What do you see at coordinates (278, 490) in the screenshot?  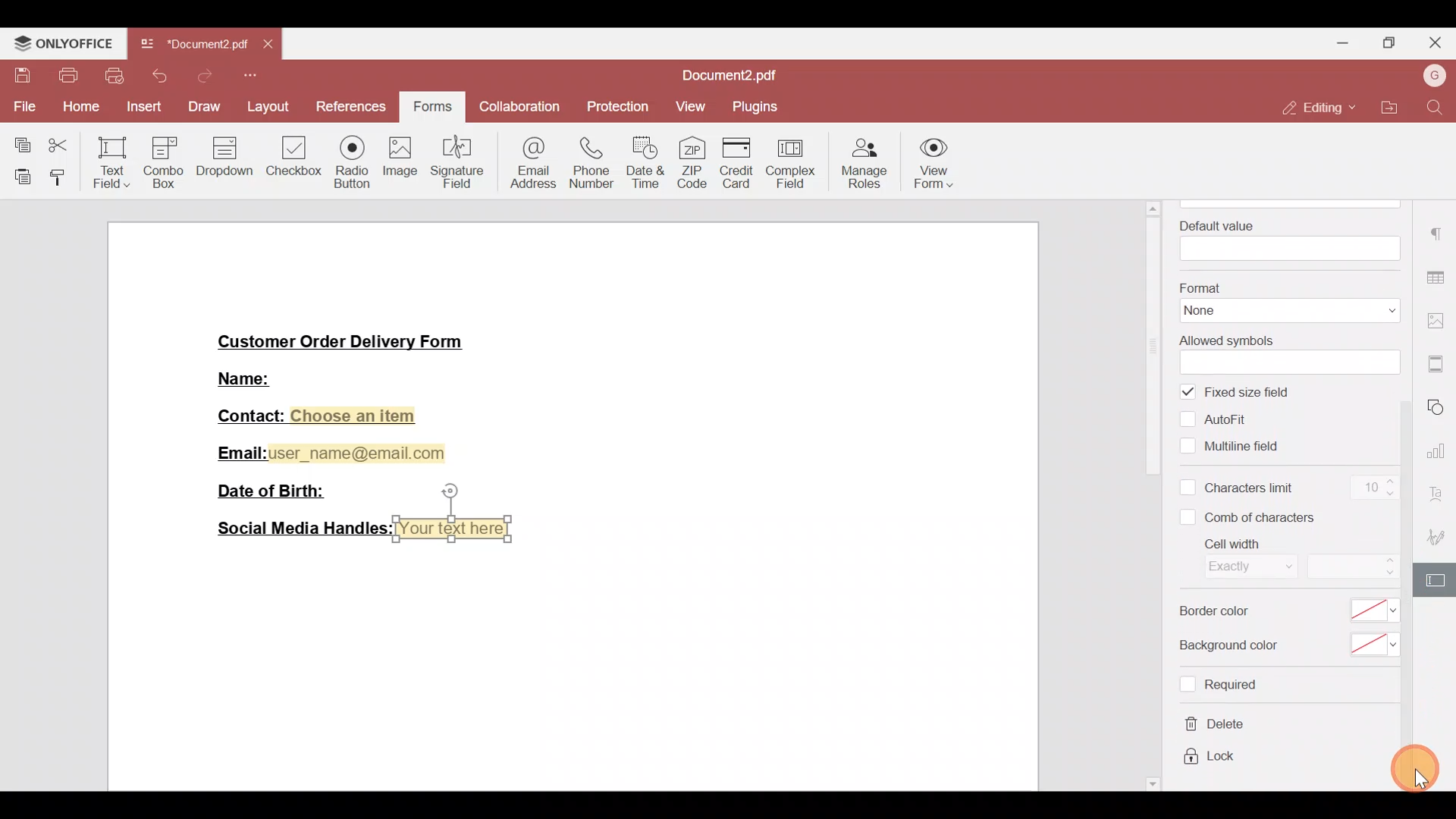 I see `Date of Birth:` at bounding box center [278, 490].